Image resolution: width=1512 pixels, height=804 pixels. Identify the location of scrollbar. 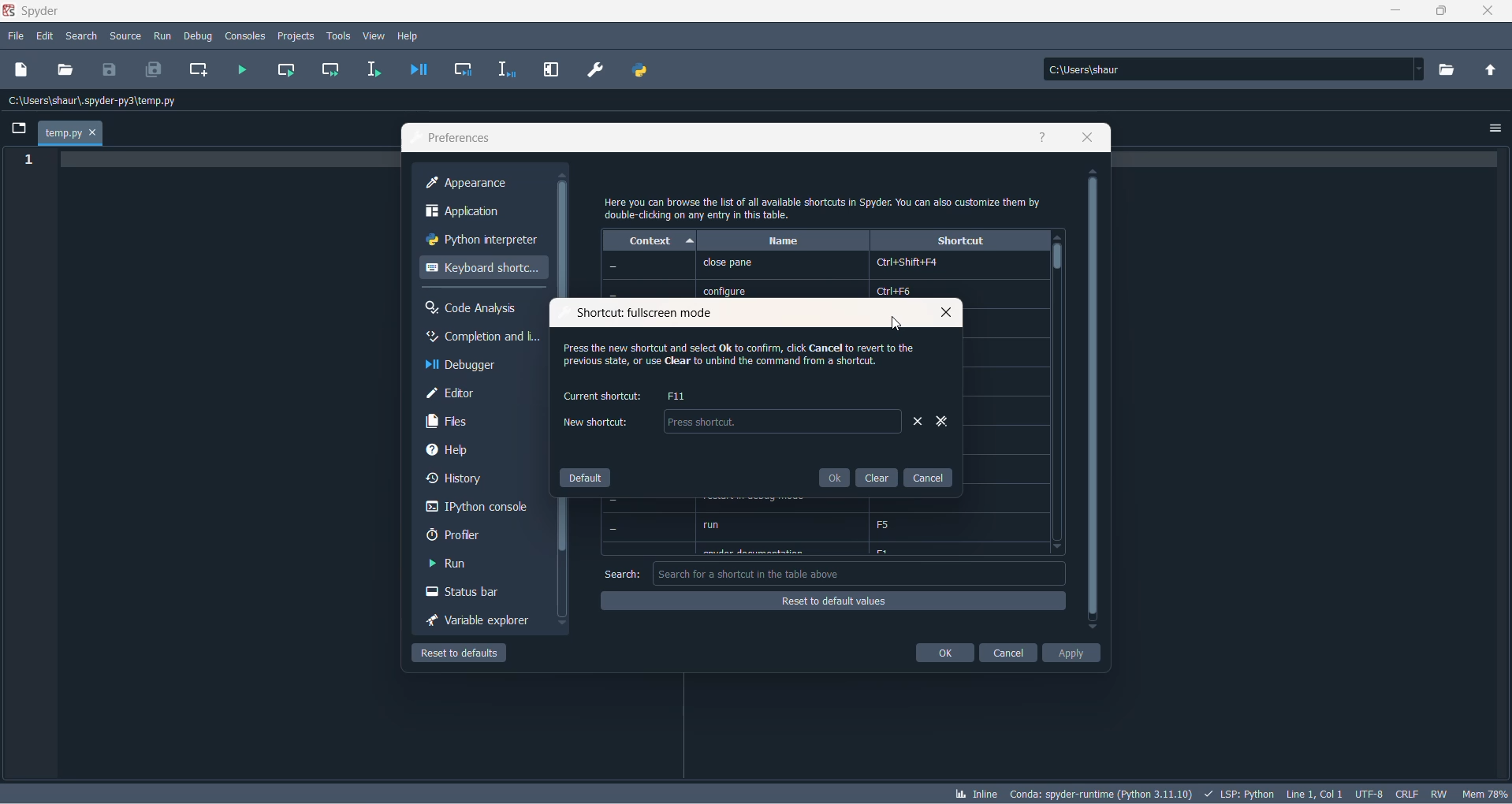
(1092, 400).